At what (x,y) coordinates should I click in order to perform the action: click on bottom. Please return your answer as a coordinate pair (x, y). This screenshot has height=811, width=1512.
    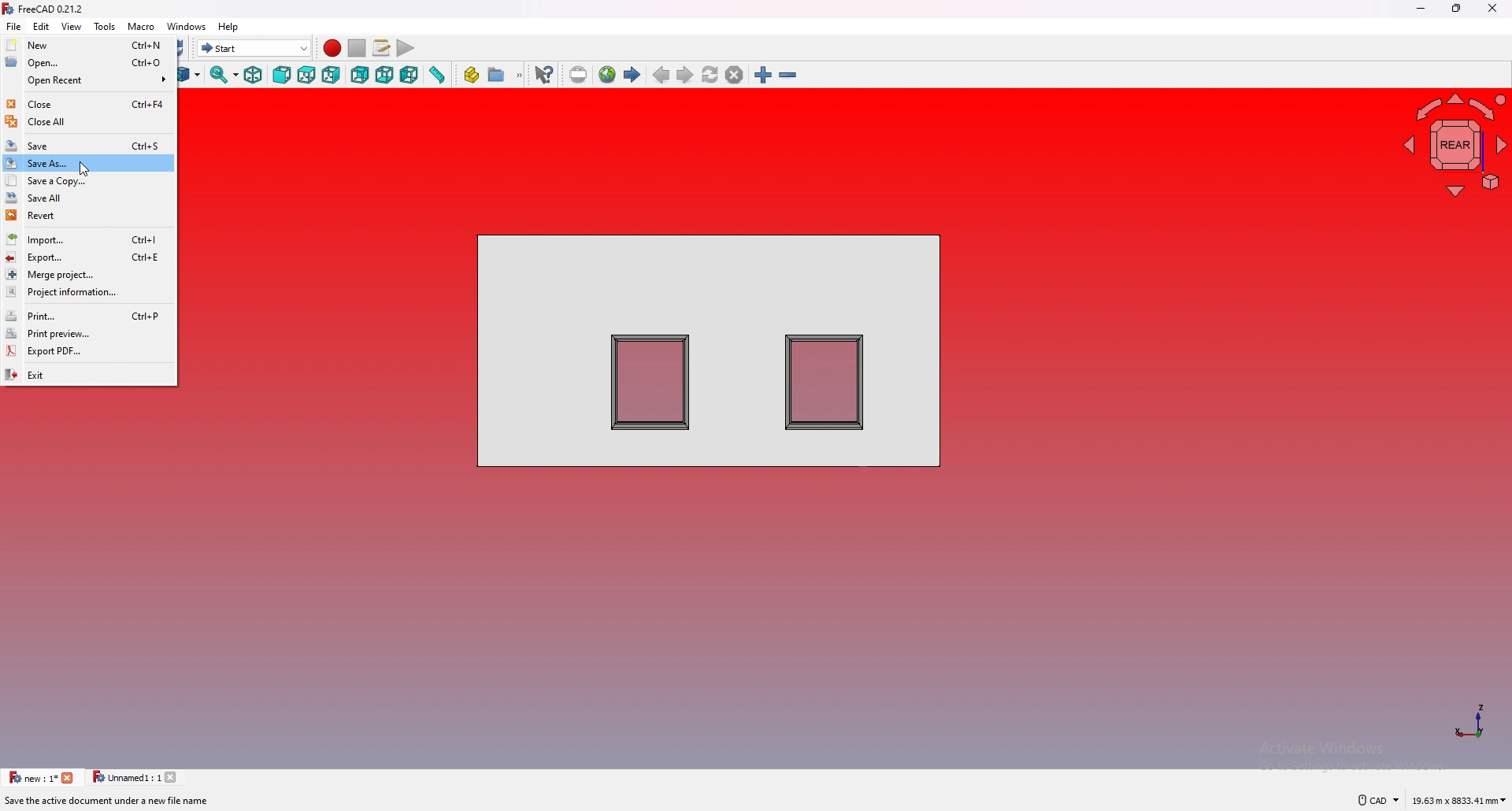
    Looking at the image, I should click on (384, 76).